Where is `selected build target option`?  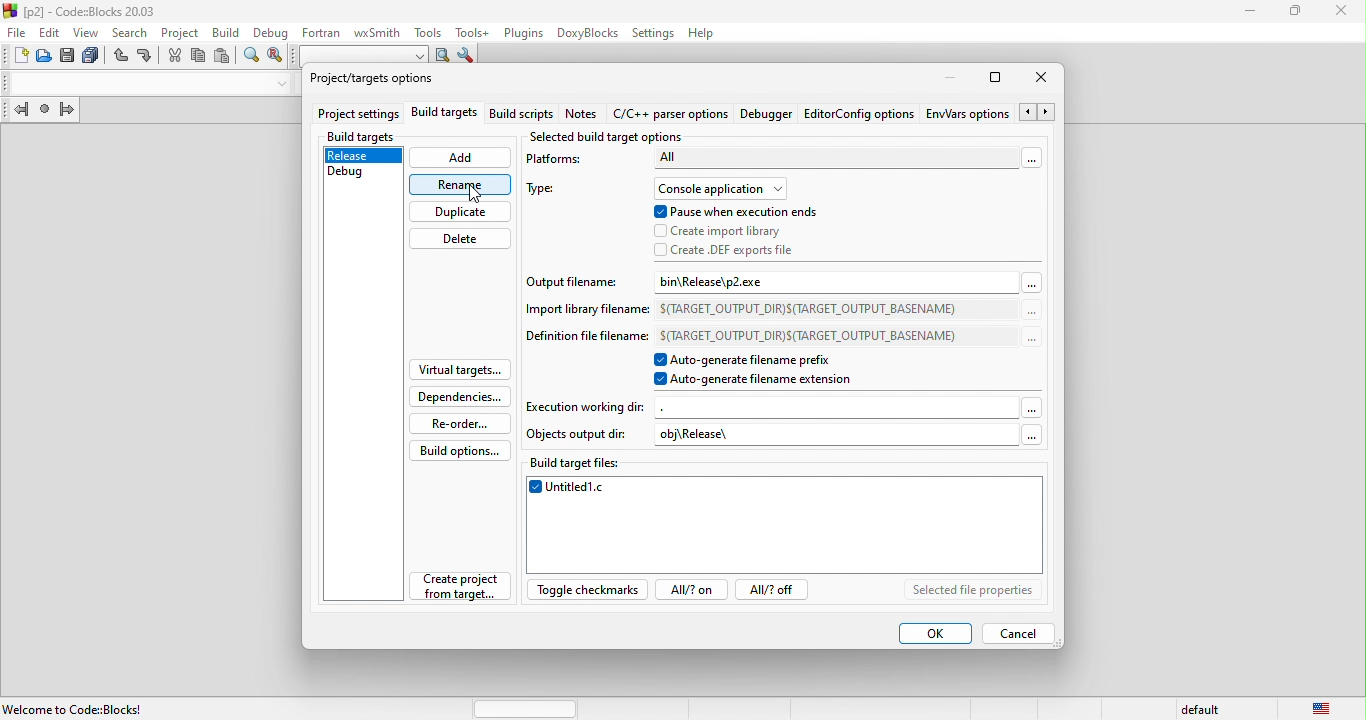 selected build target option is located at coordinates (612, 136).